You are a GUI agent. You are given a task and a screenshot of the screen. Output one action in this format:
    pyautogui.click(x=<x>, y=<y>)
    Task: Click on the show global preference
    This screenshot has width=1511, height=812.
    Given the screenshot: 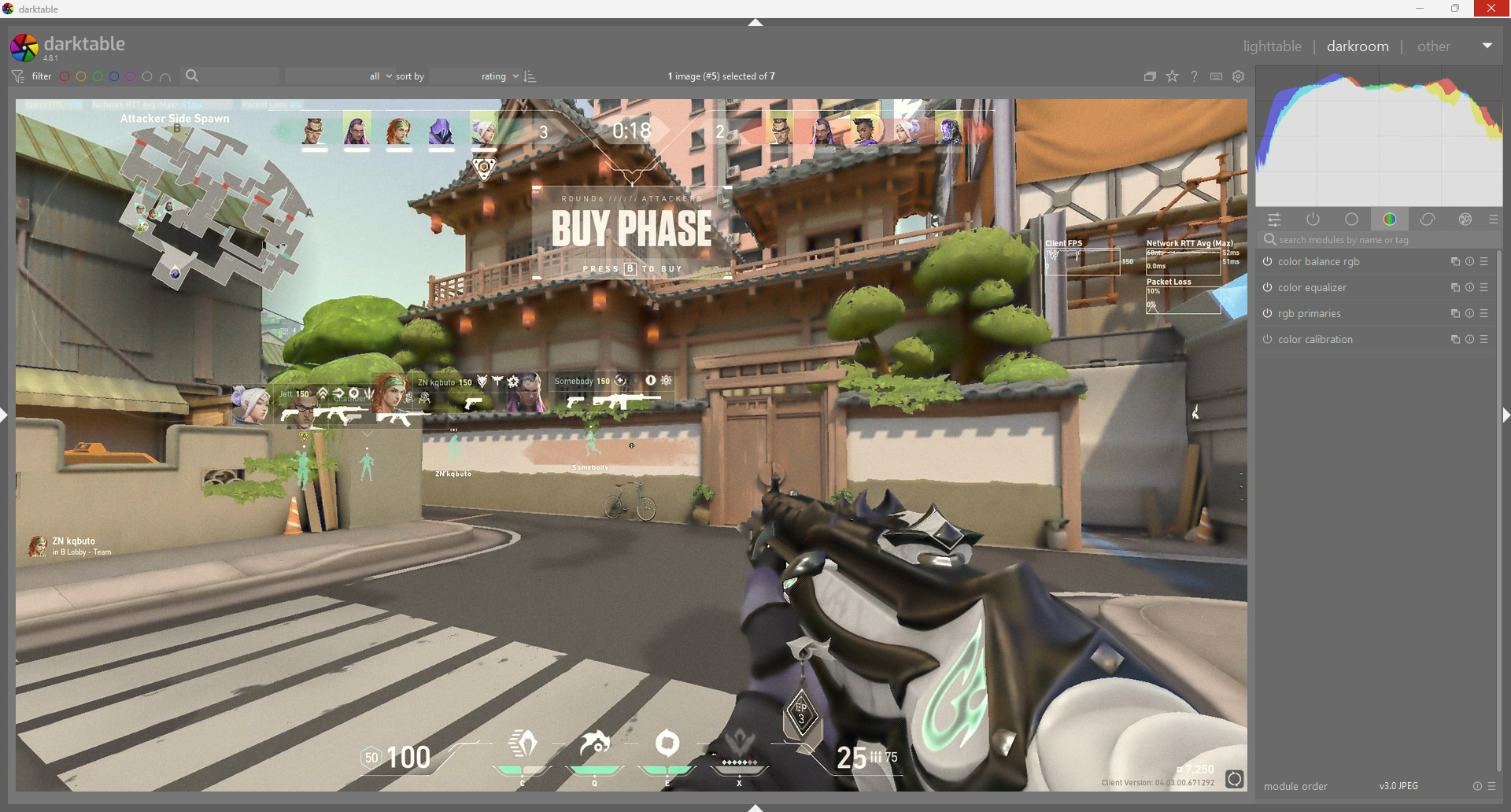 What is the action you would take?
    pyautogui.click(x=1238, y=76)
    